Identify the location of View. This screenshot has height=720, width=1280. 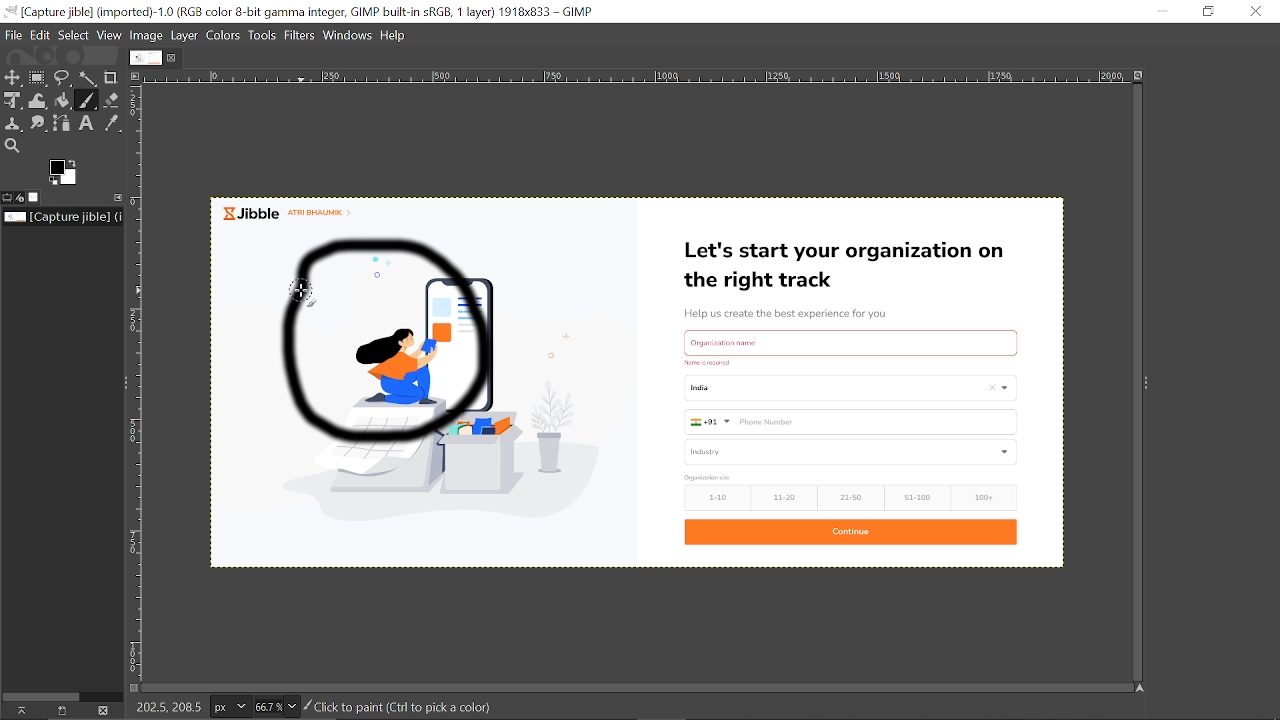
(109, 36).